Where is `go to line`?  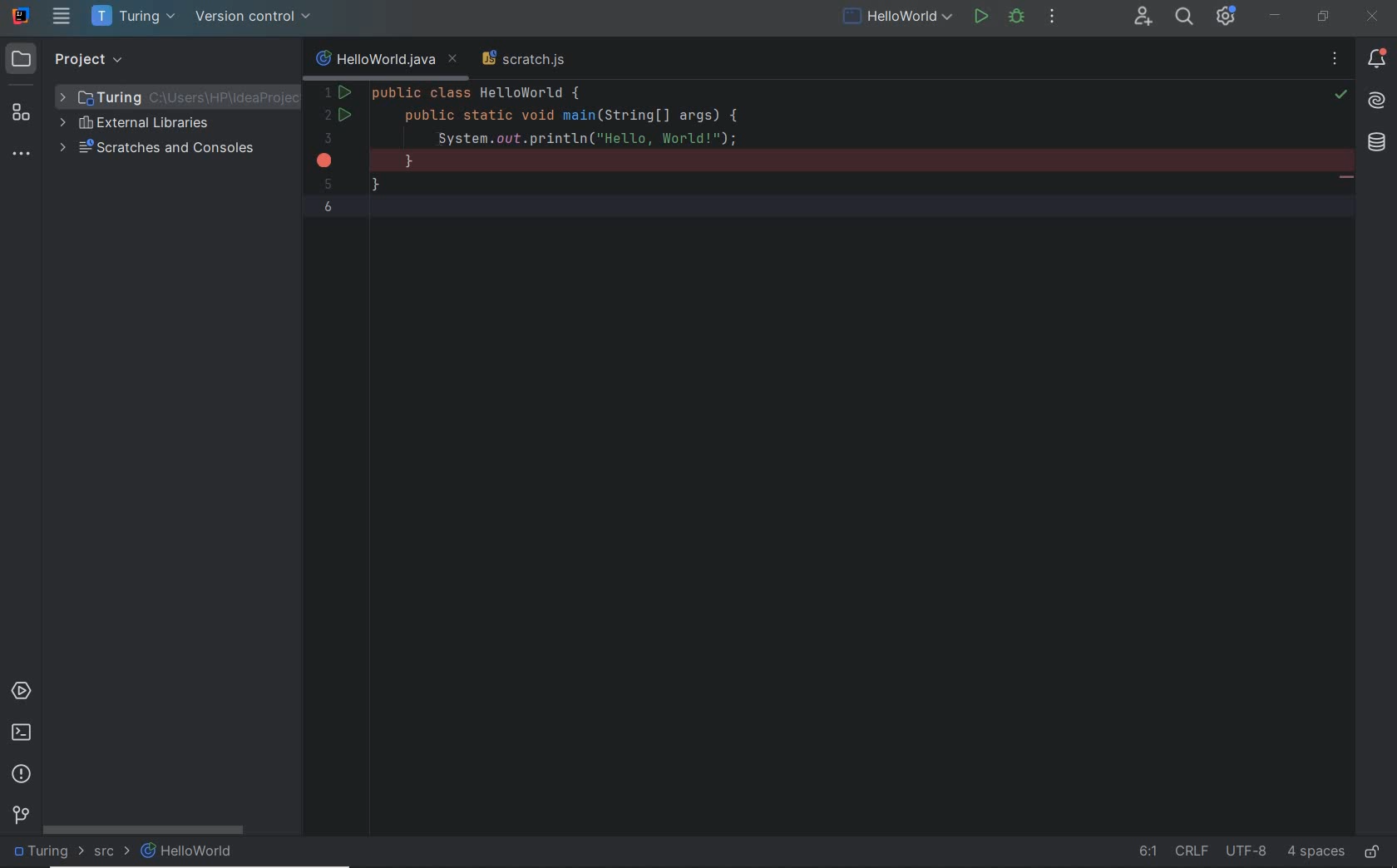 go to line is located at coordinates (1144, 850).